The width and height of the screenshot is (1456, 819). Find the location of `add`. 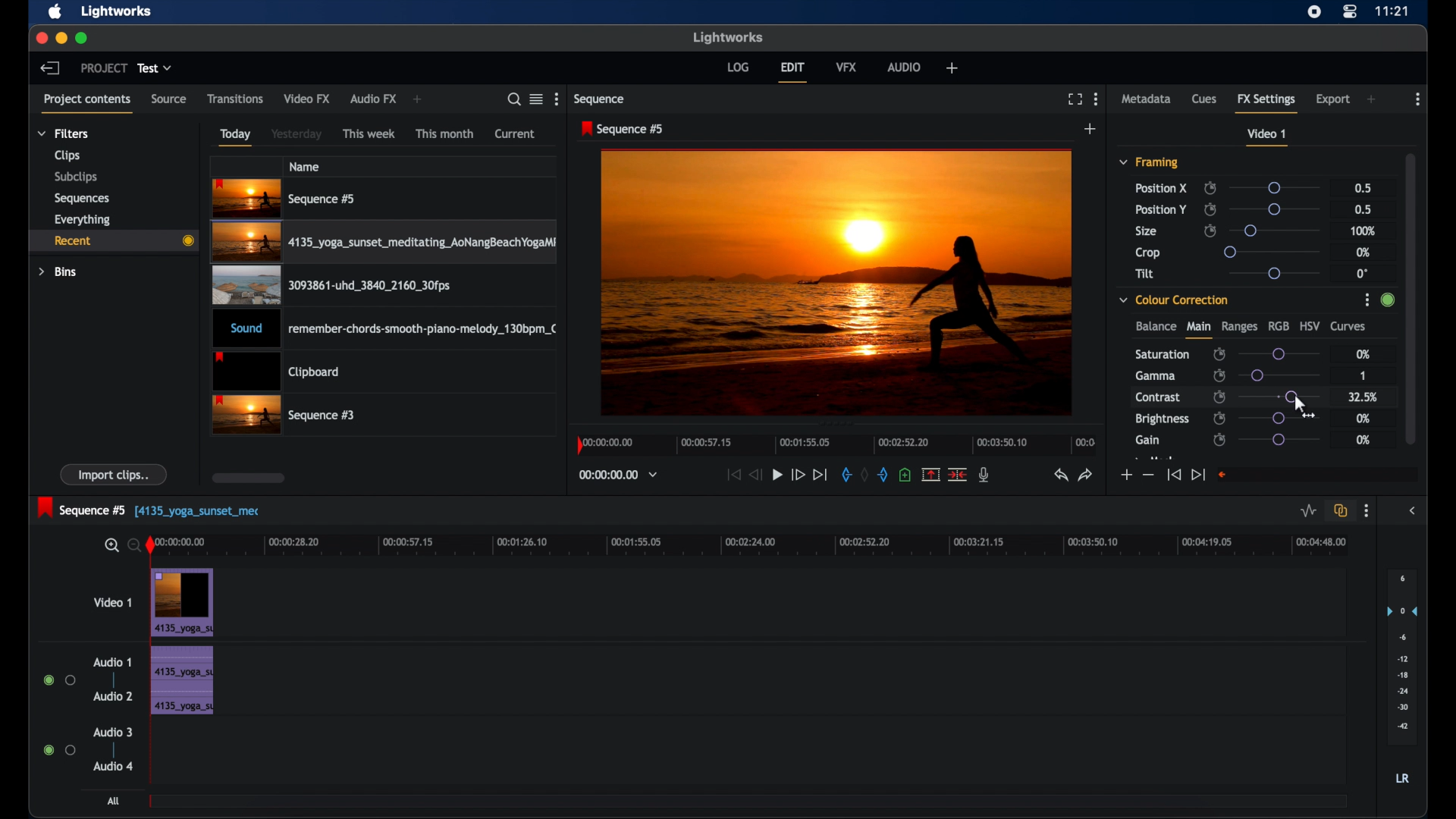

add is located at coordinates (952, 67).